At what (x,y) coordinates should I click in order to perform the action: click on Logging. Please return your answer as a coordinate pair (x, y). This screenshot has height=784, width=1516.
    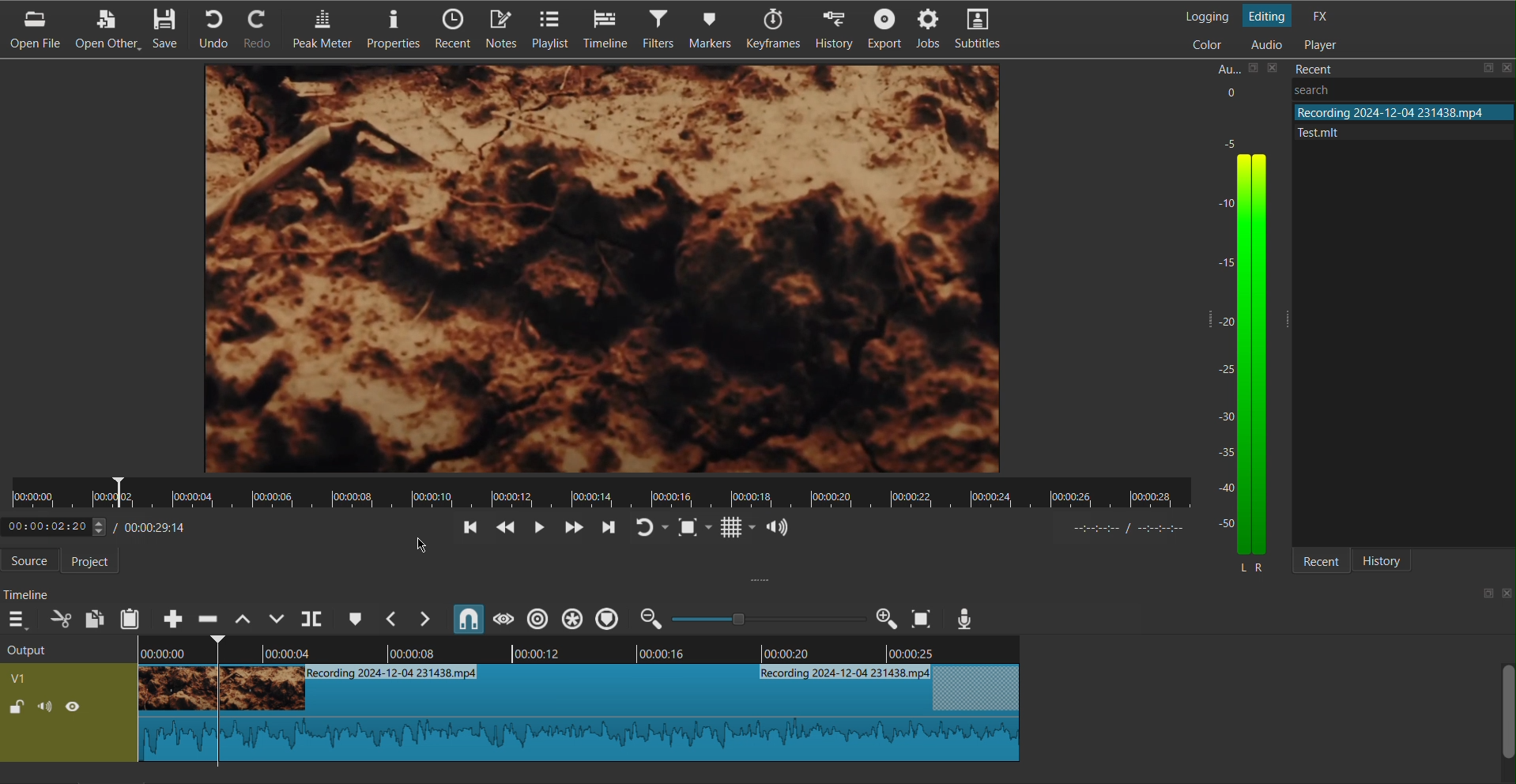
    Looking at the image, I should click on (1206, 15).